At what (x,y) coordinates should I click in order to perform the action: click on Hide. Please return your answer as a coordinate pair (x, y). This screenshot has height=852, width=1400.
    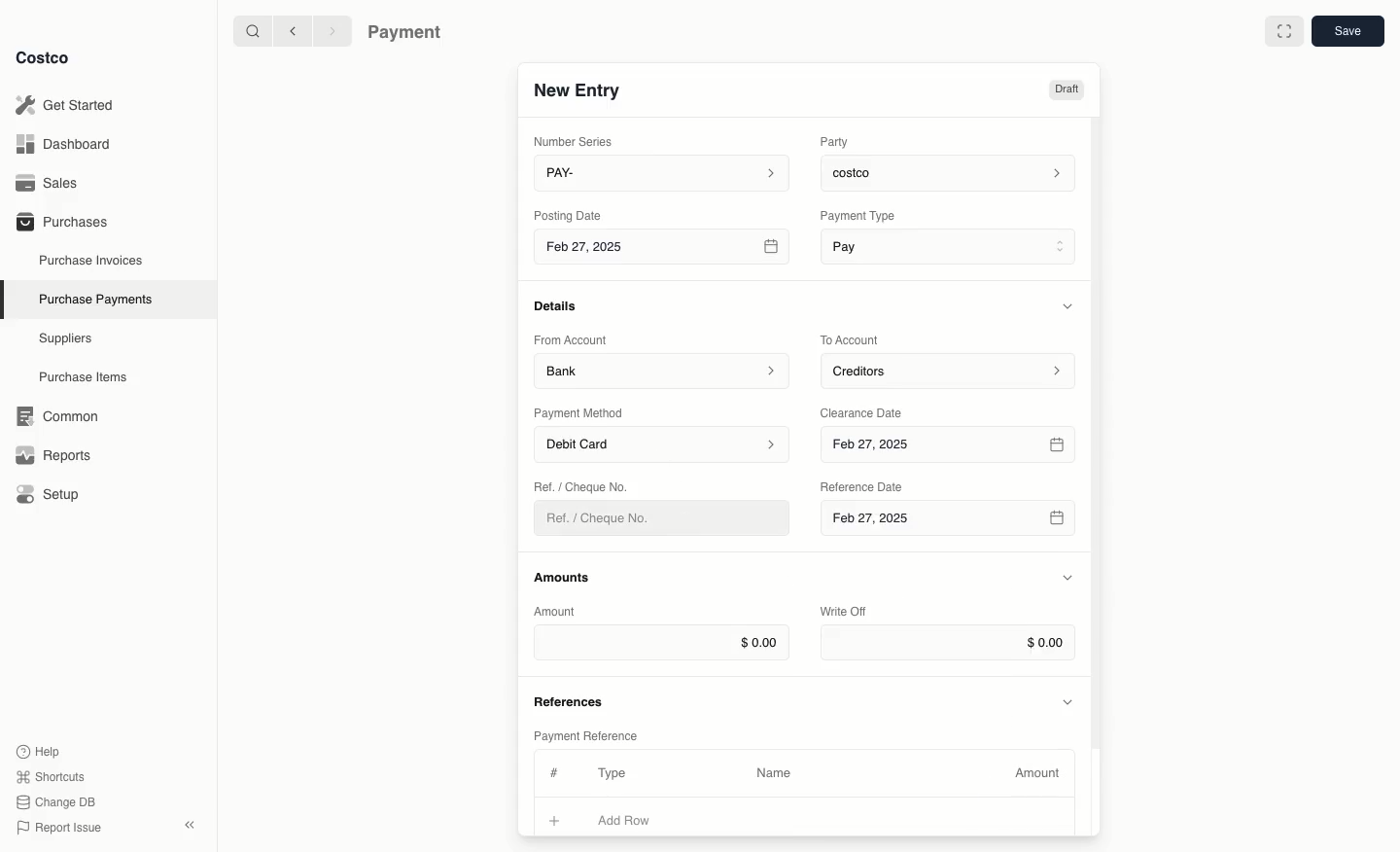
    Looking at the image, I should click on (1069, 700).